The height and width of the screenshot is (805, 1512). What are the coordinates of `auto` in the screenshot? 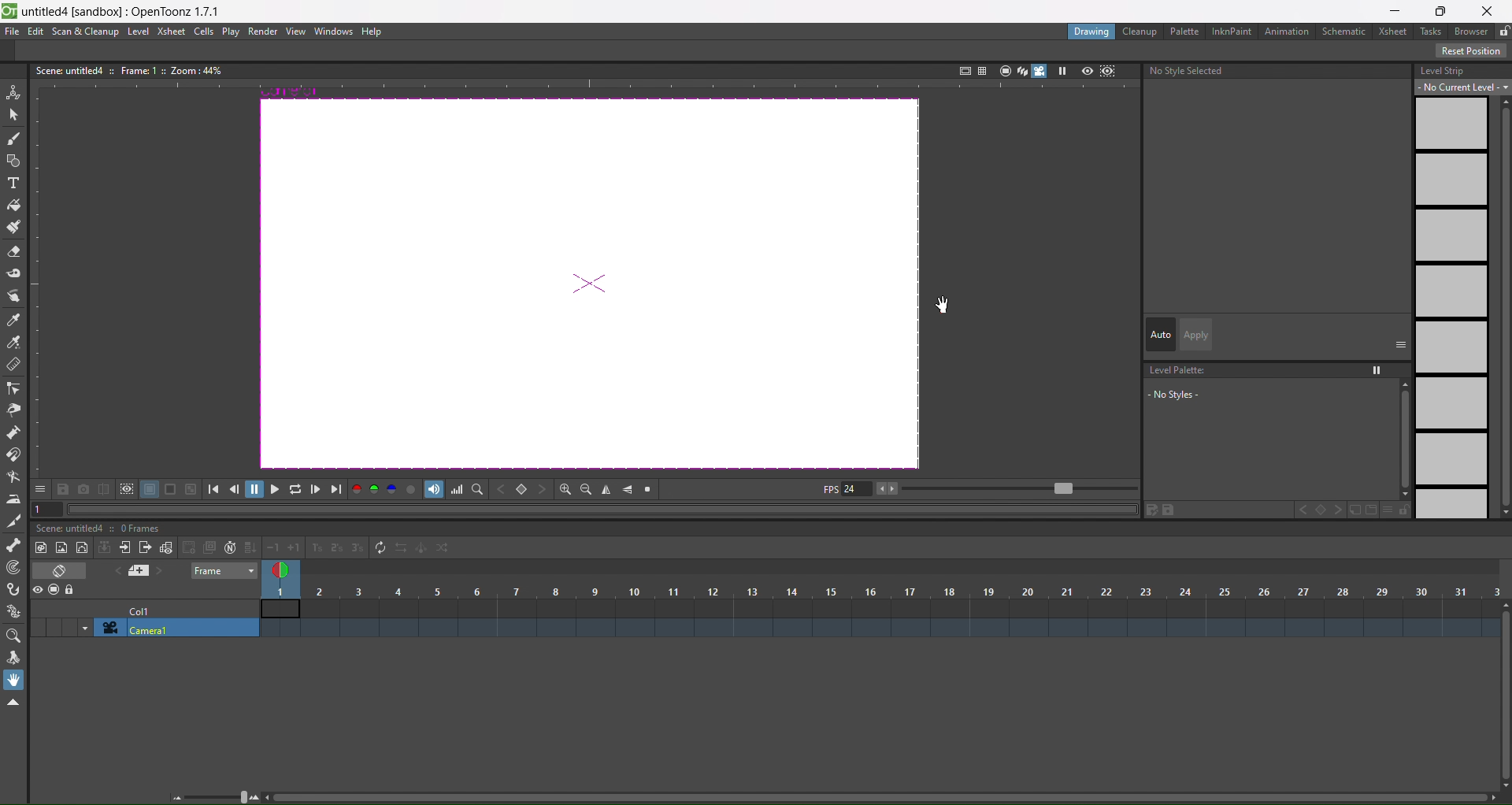 It's located at (1161, 336).